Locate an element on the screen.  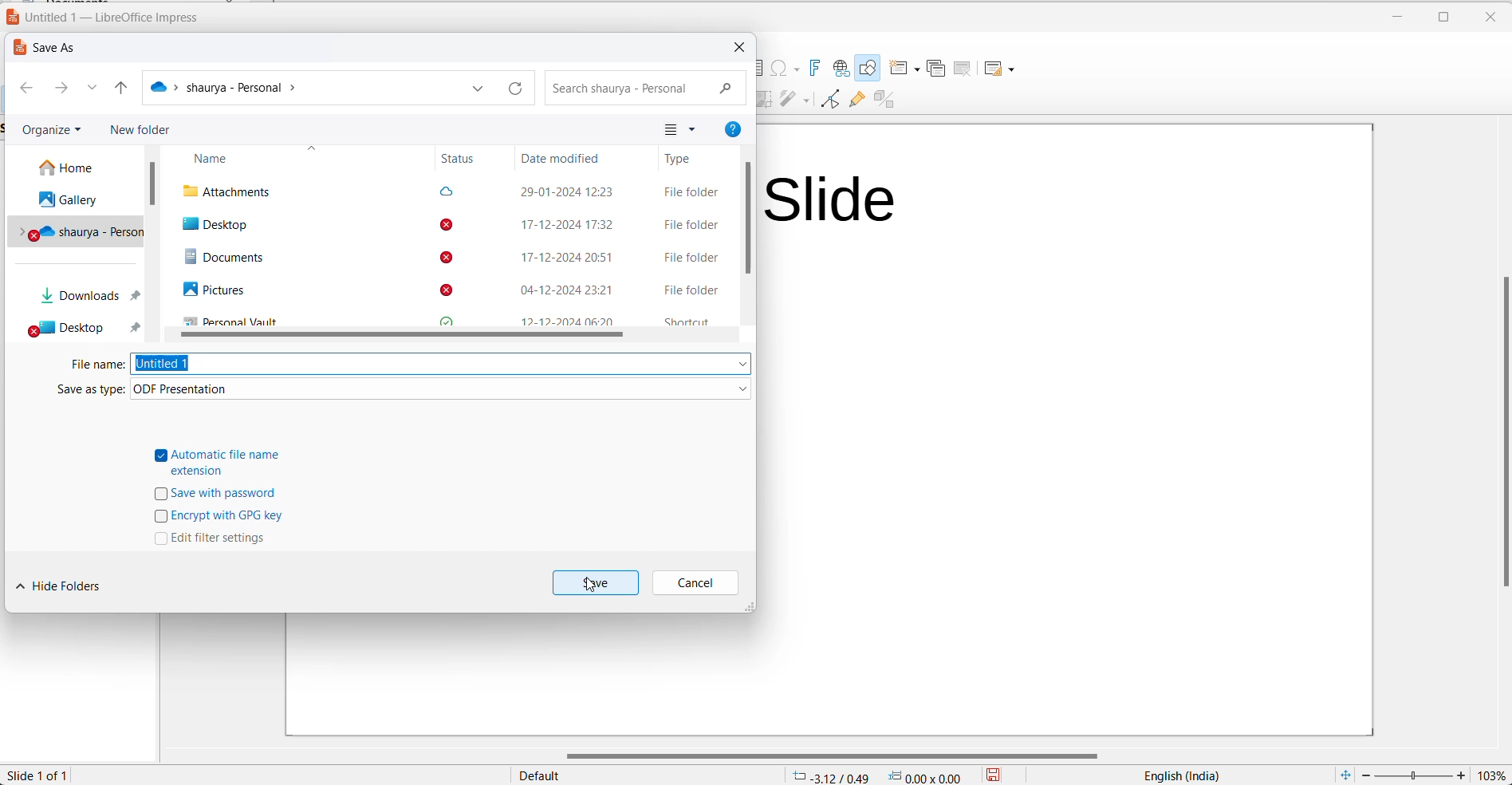
04-12-2024 23:21 is located at coordinates (556, 292).